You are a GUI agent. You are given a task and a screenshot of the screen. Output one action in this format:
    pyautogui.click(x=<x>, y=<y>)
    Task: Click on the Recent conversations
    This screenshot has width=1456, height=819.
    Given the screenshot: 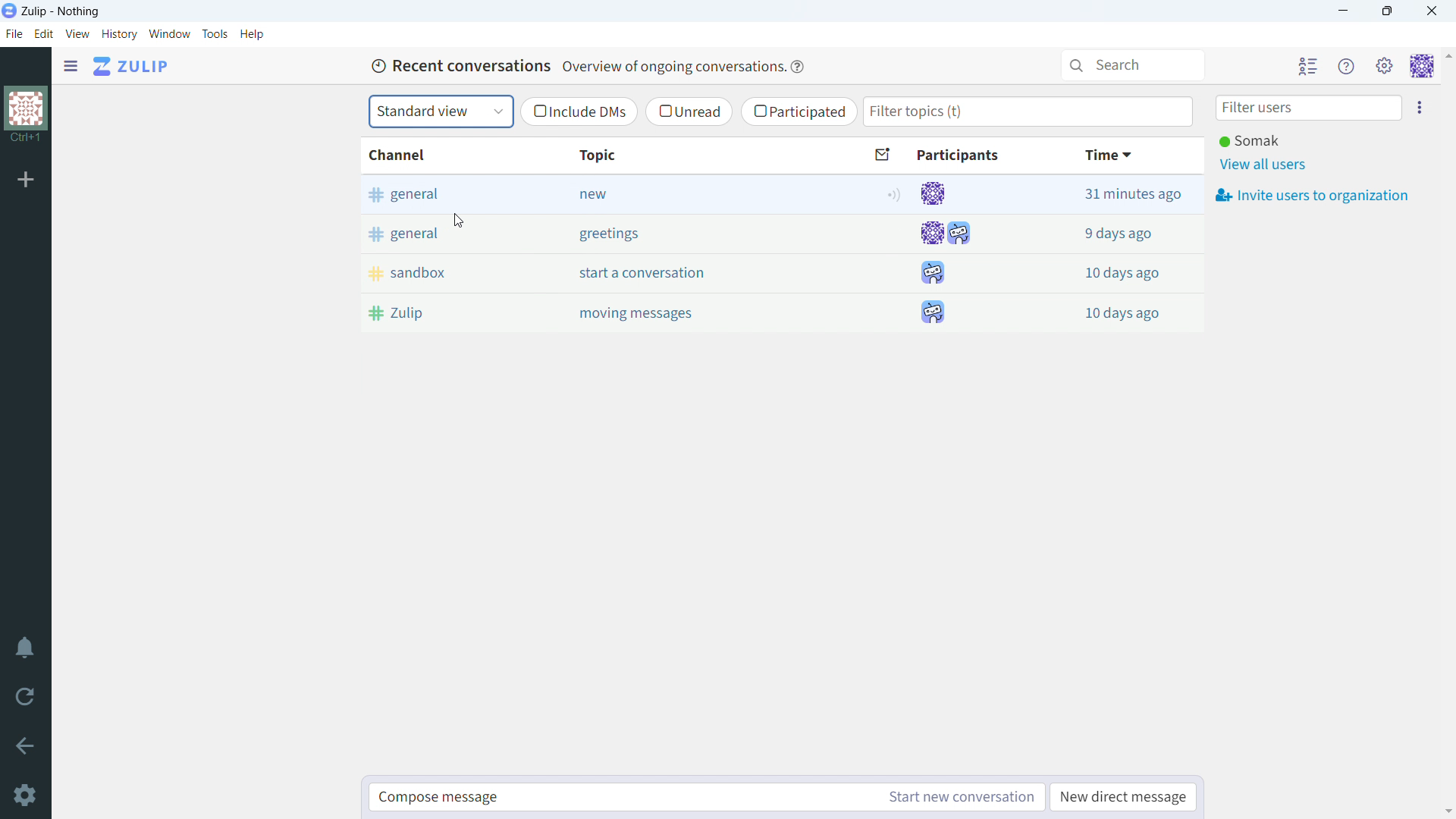 What is the action you would take?
    pyautogui.click(x=458, y=66)
    